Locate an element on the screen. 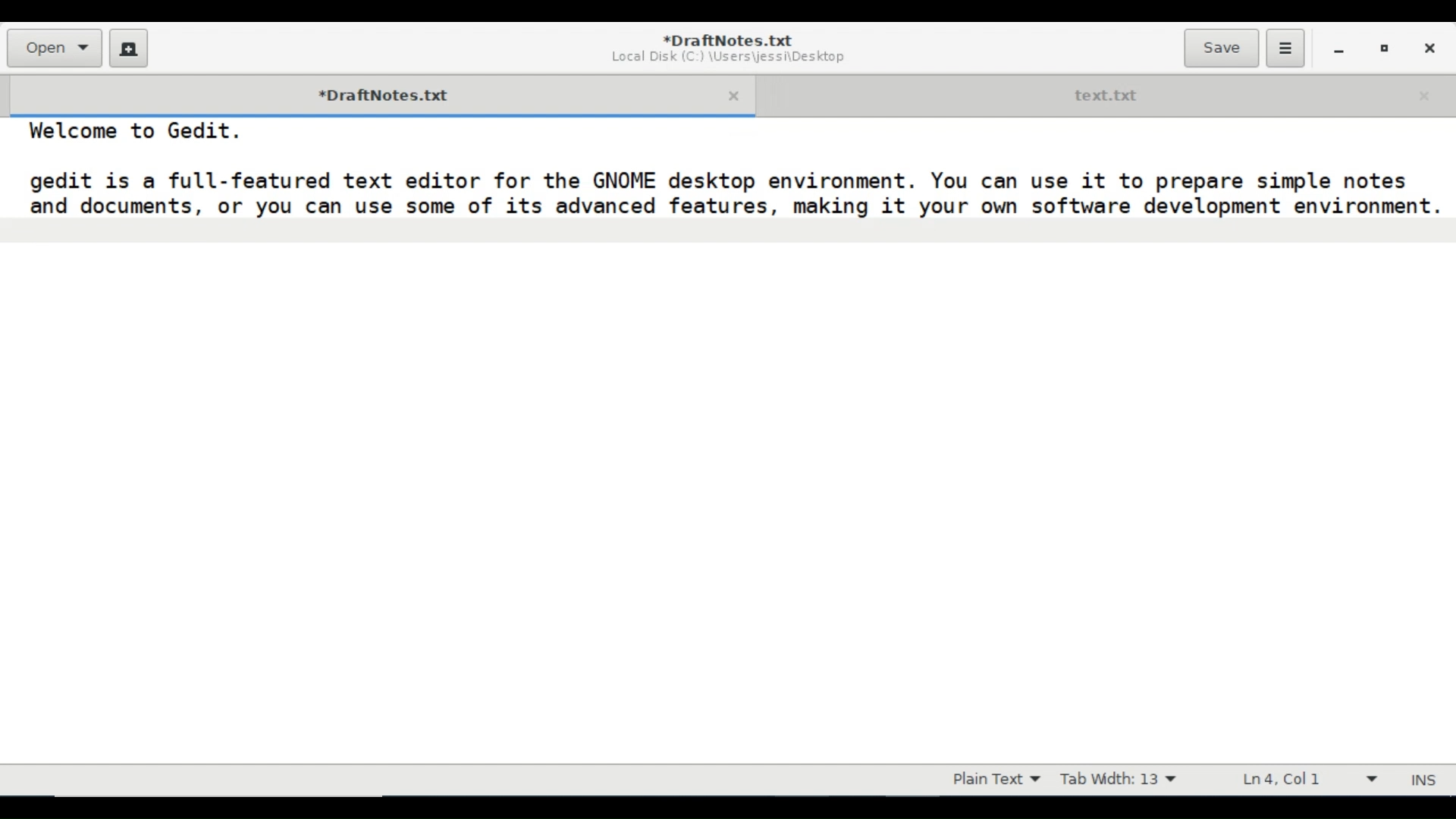 This screenshot has width=1456, height=819. Application menu is located at coordinates (1285, 49).